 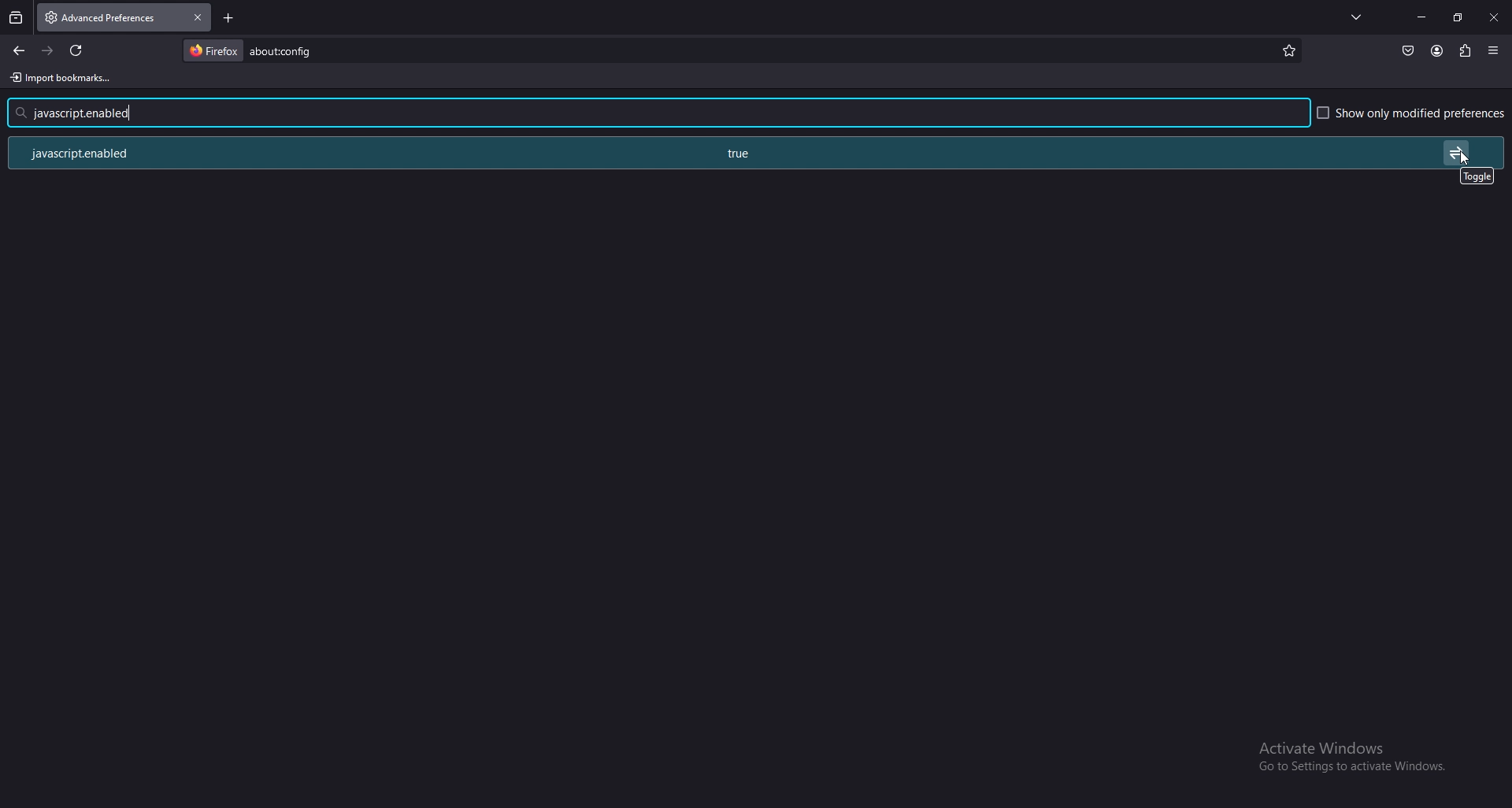 What do you see at coordinates (17, 18) in the screenshot?
I see `recent browsing` at bounding box center [17, 18].